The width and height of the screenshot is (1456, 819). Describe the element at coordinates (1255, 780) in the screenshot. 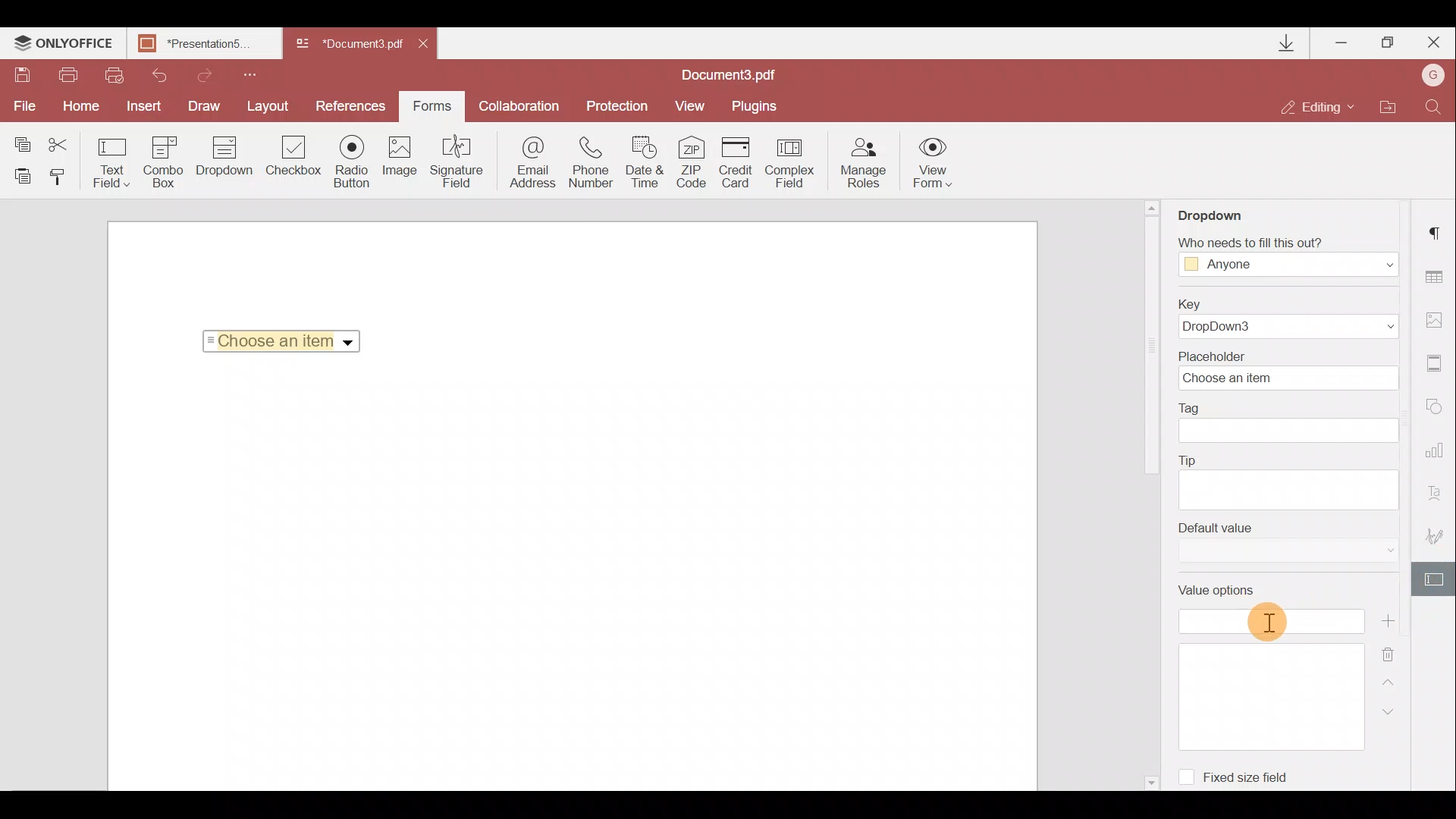

I see `Fixed size field` at that location.